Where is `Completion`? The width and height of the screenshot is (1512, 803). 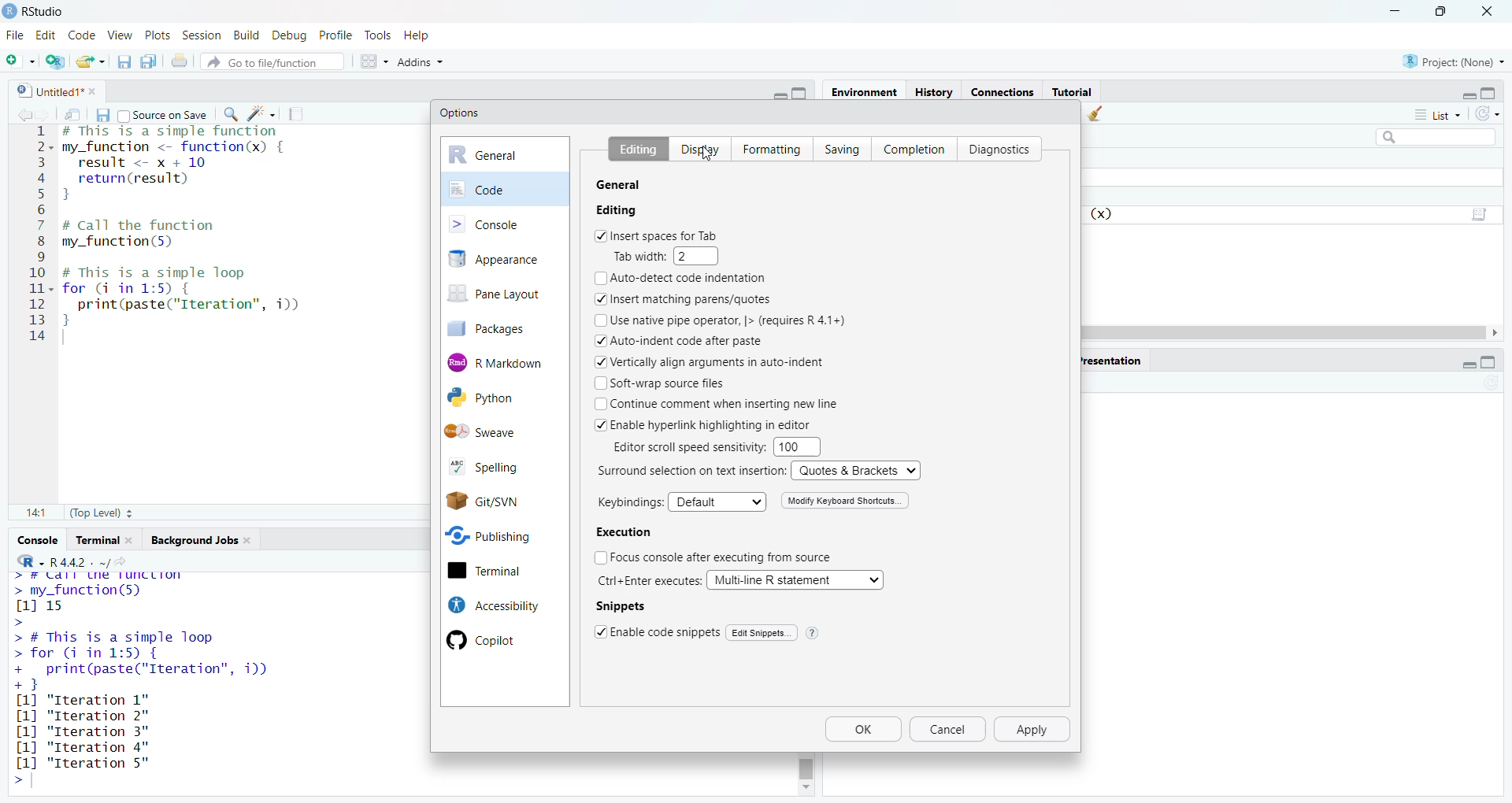
Completion is located at coordinates (914, 150).